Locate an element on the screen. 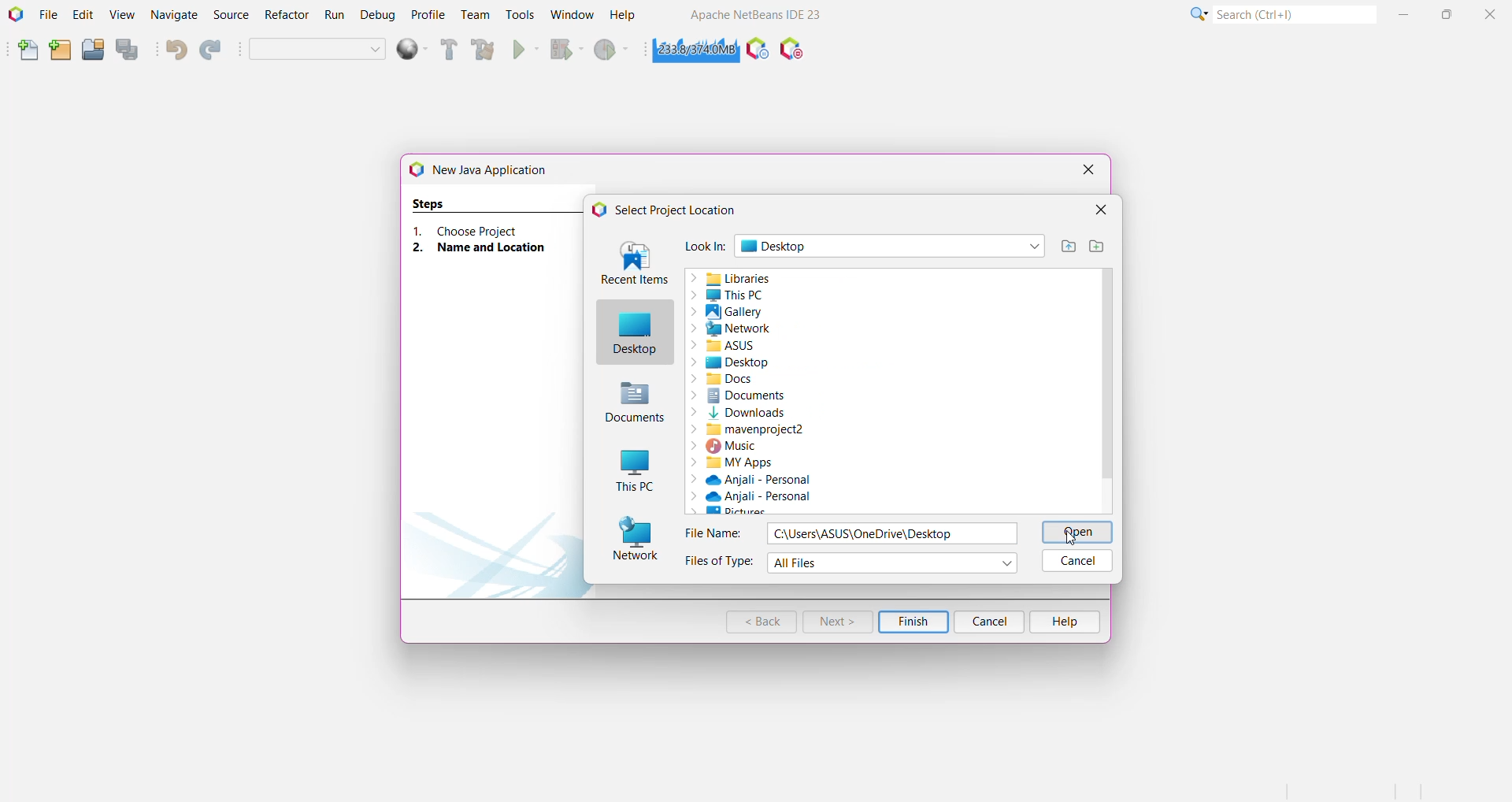 The width and height of the screenshot is (1512, 802). Save All is located at coordinates (129, 50).